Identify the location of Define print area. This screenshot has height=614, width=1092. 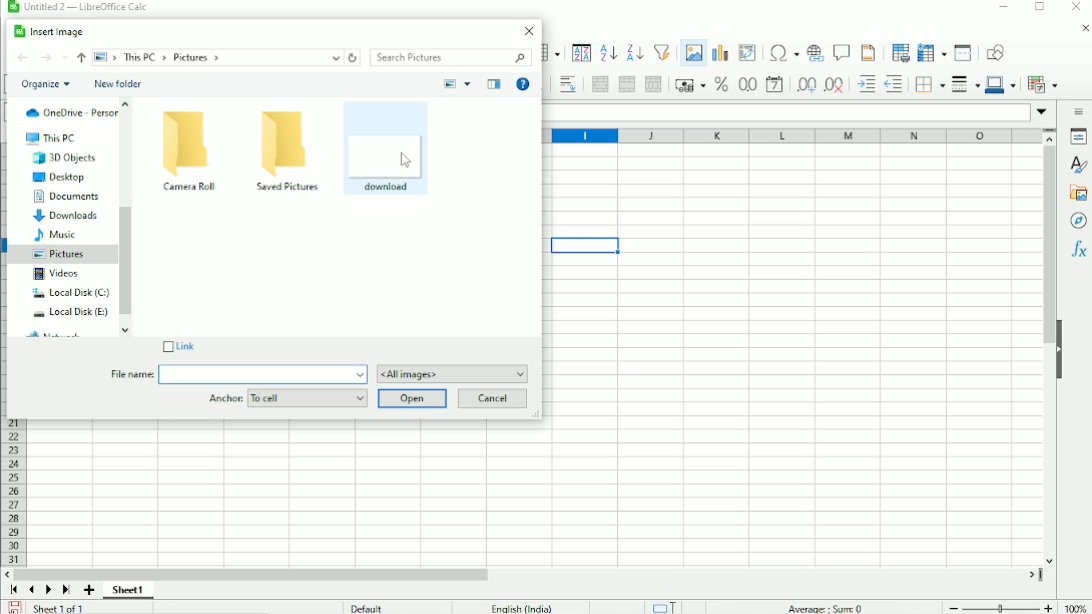
(899, 52).